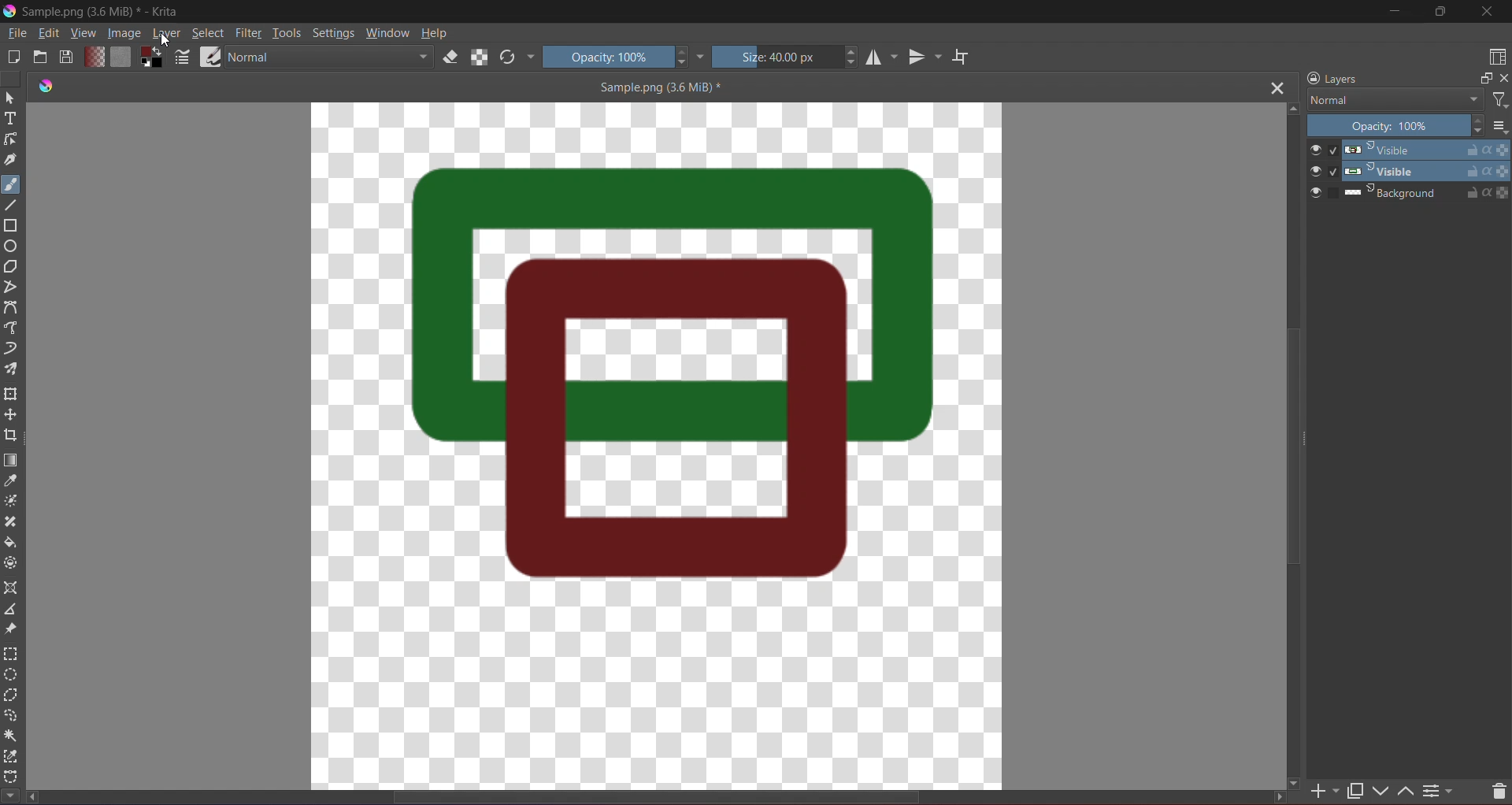 The width and height of the screenshot is (1512, 805). What do you see at coordinates (12, 349) in the screenshot?
I see `Dynamic Brush` at bounding box center [12, 349].